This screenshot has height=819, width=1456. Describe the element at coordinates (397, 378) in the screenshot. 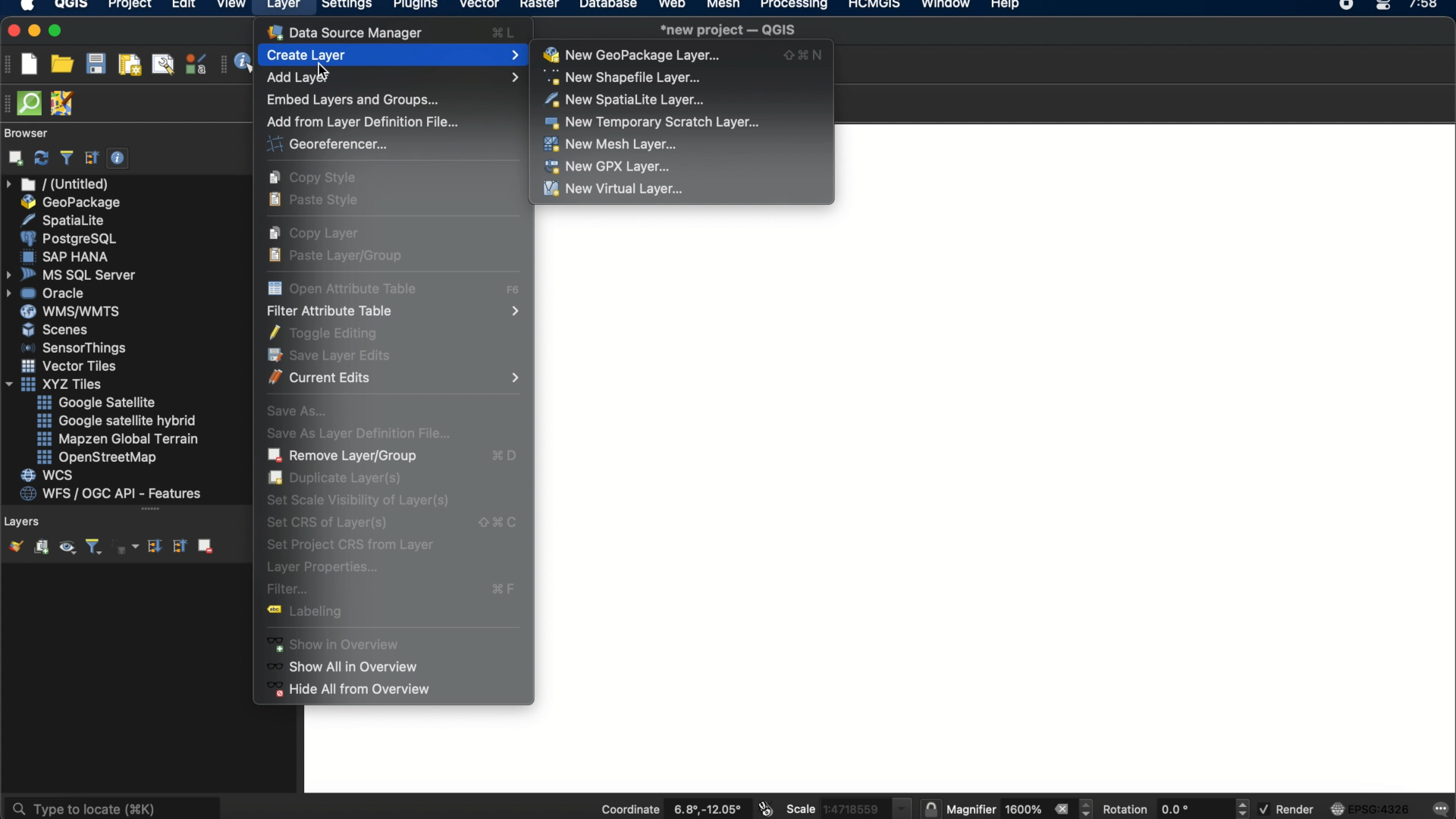

I see `current edits` at that location.